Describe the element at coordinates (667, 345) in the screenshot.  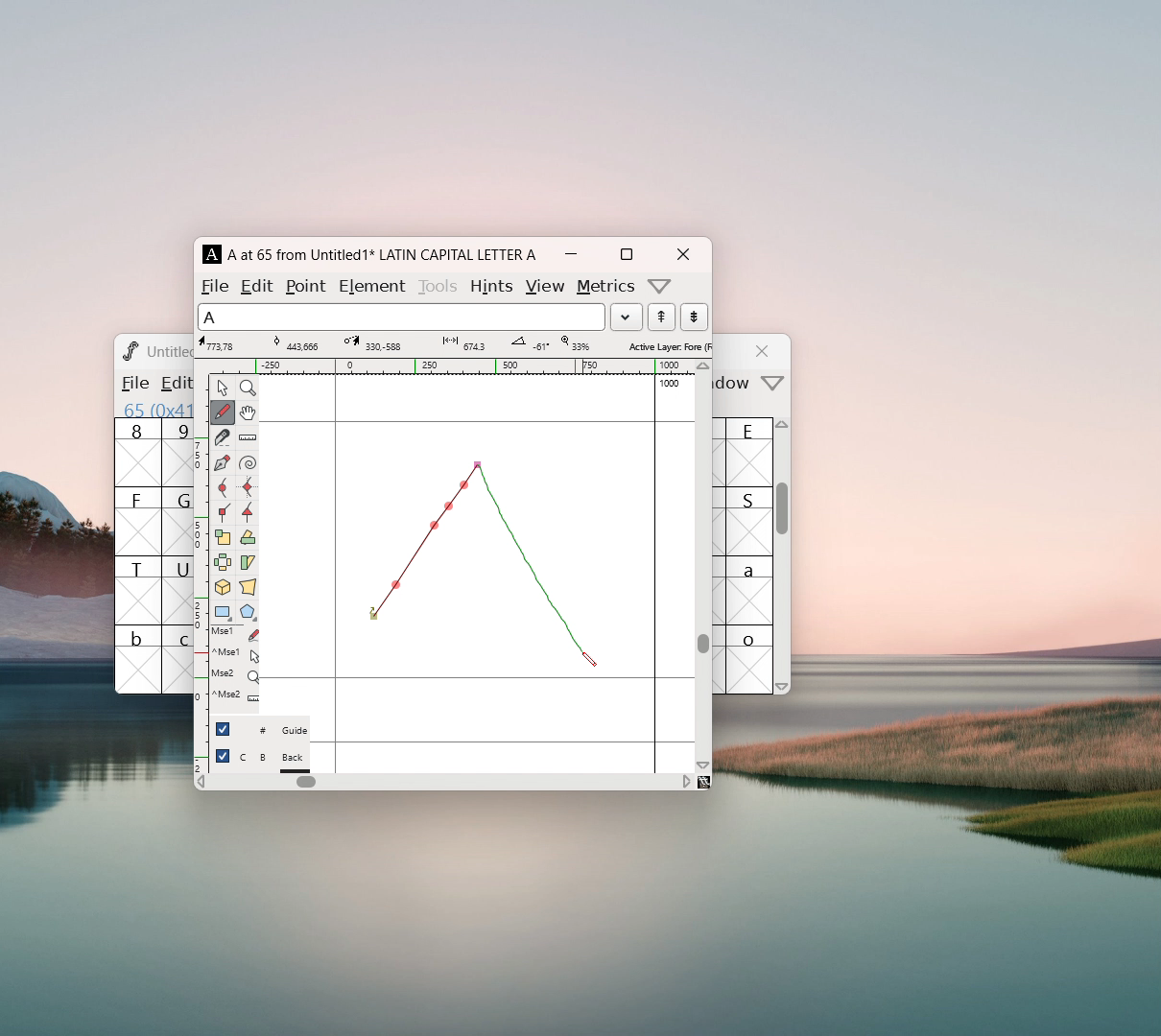
I see `selected layer` at that location.